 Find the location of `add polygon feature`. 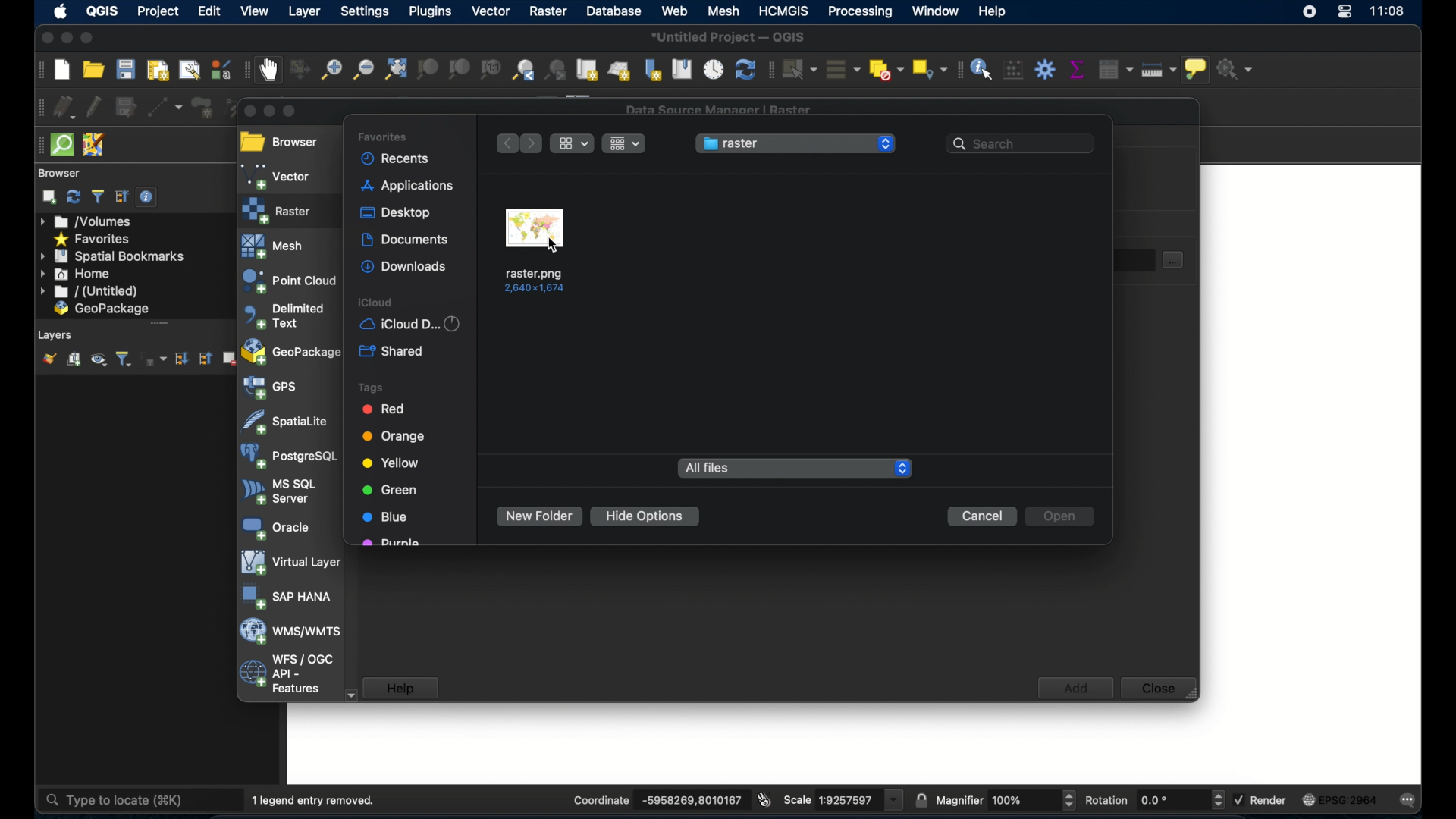

add polygon feature is located at coordinates (202, 108).